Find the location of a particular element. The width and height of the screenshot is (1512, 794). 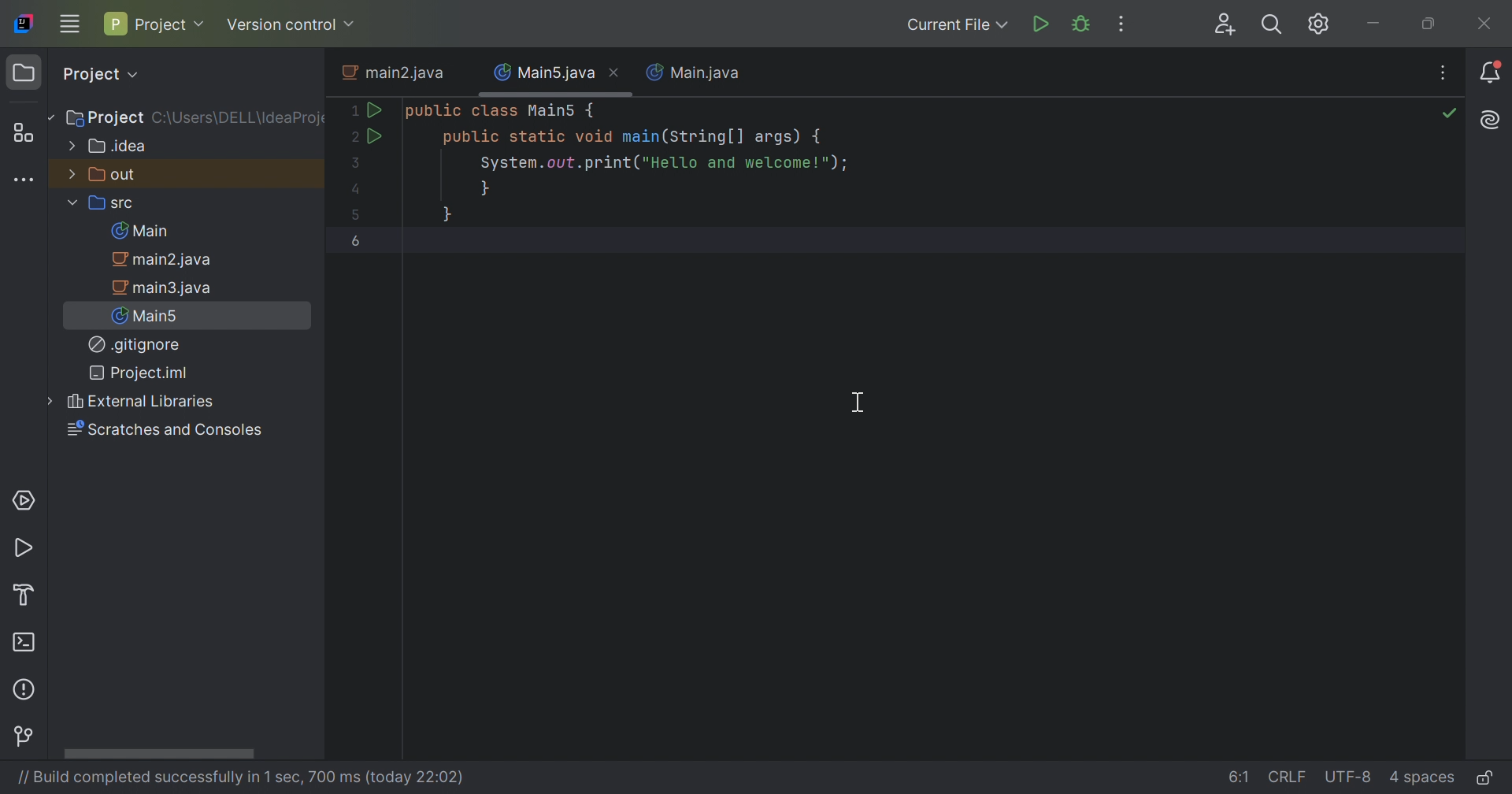

Run is located at coordinates (1043, 24).